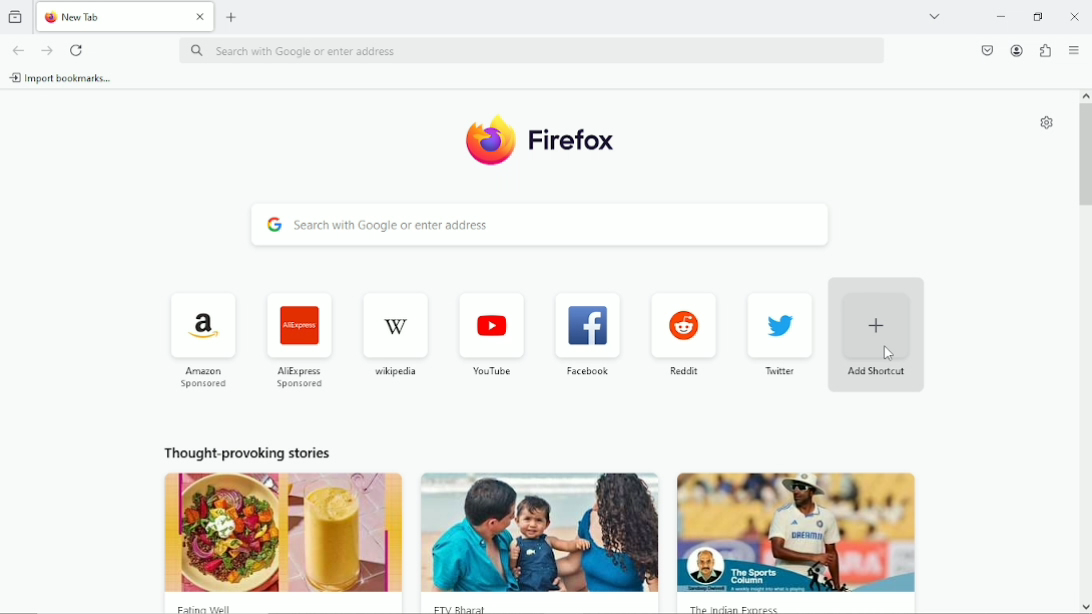 The image size is (1092, 614). Describe the element at coordinates (232, 16) in the screenshot. I see `new tab` at that location.